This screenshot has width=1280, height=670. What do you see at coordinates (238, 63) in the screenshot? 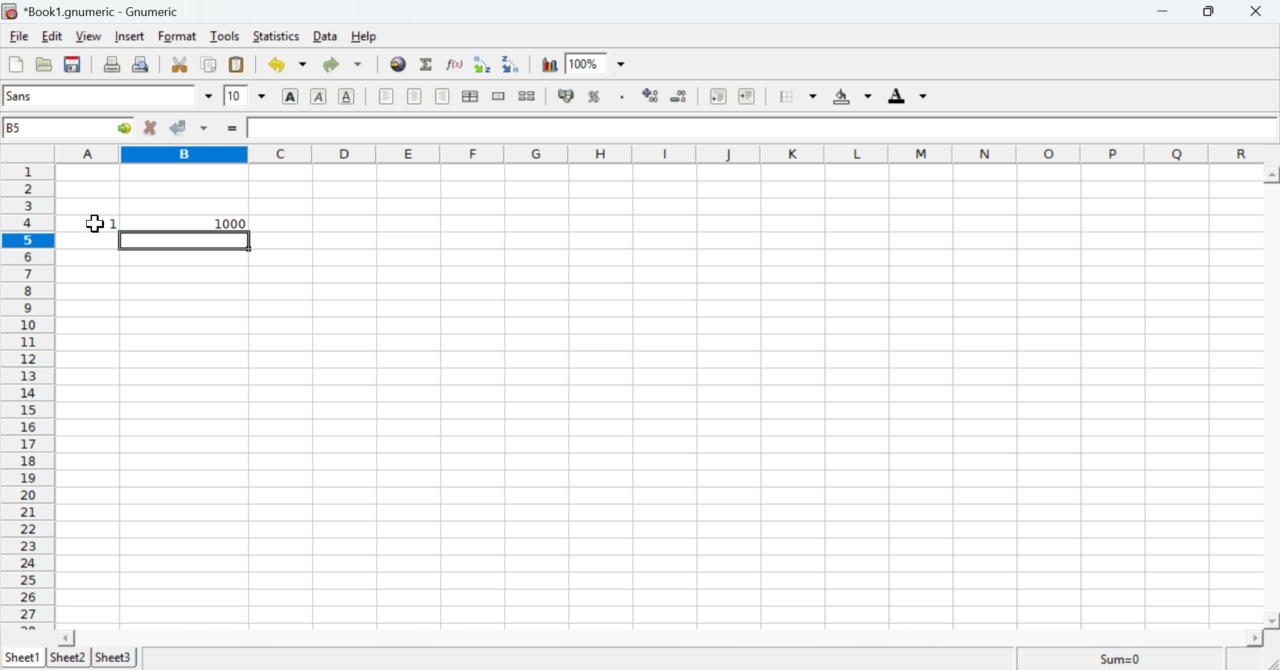
I see `Paste the clipboard` at bounding box center [238, 63].